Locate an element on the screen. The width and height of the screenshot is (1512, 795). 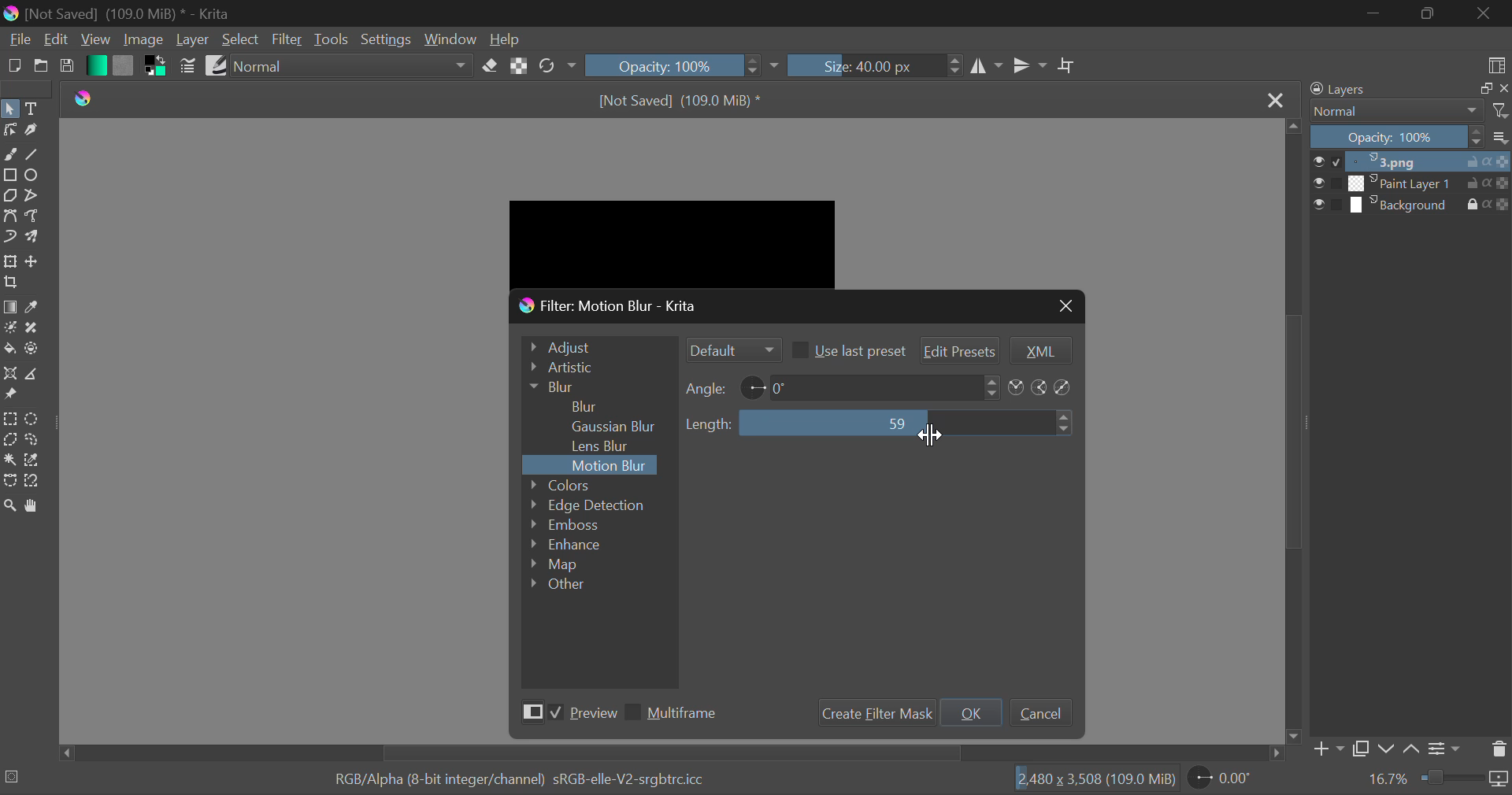
Tools is located at coordinates (331, 40).